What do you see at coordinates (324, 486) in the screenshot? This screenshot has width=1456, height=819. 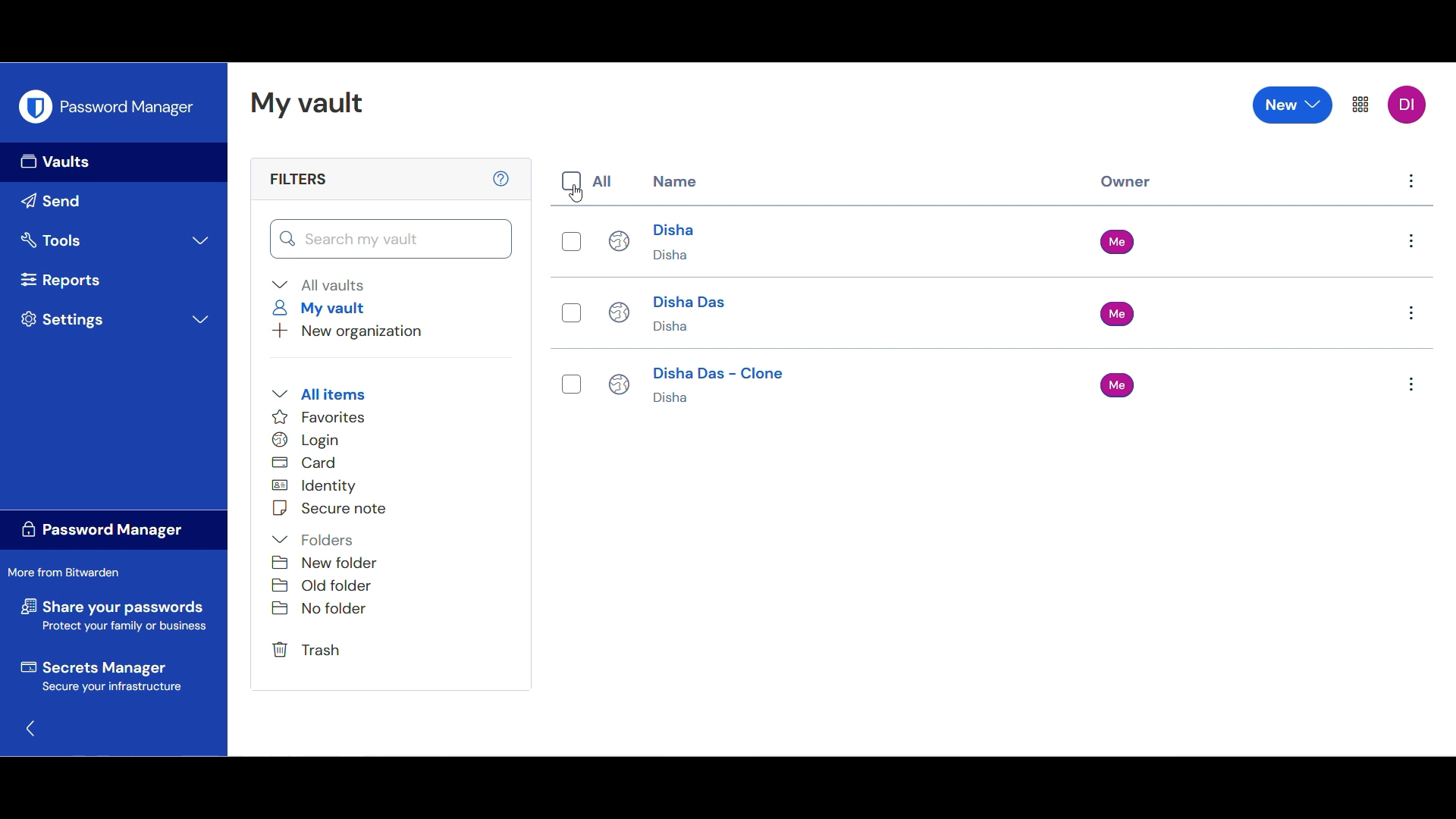 I see `Identity` at bounding box center [324, 486].